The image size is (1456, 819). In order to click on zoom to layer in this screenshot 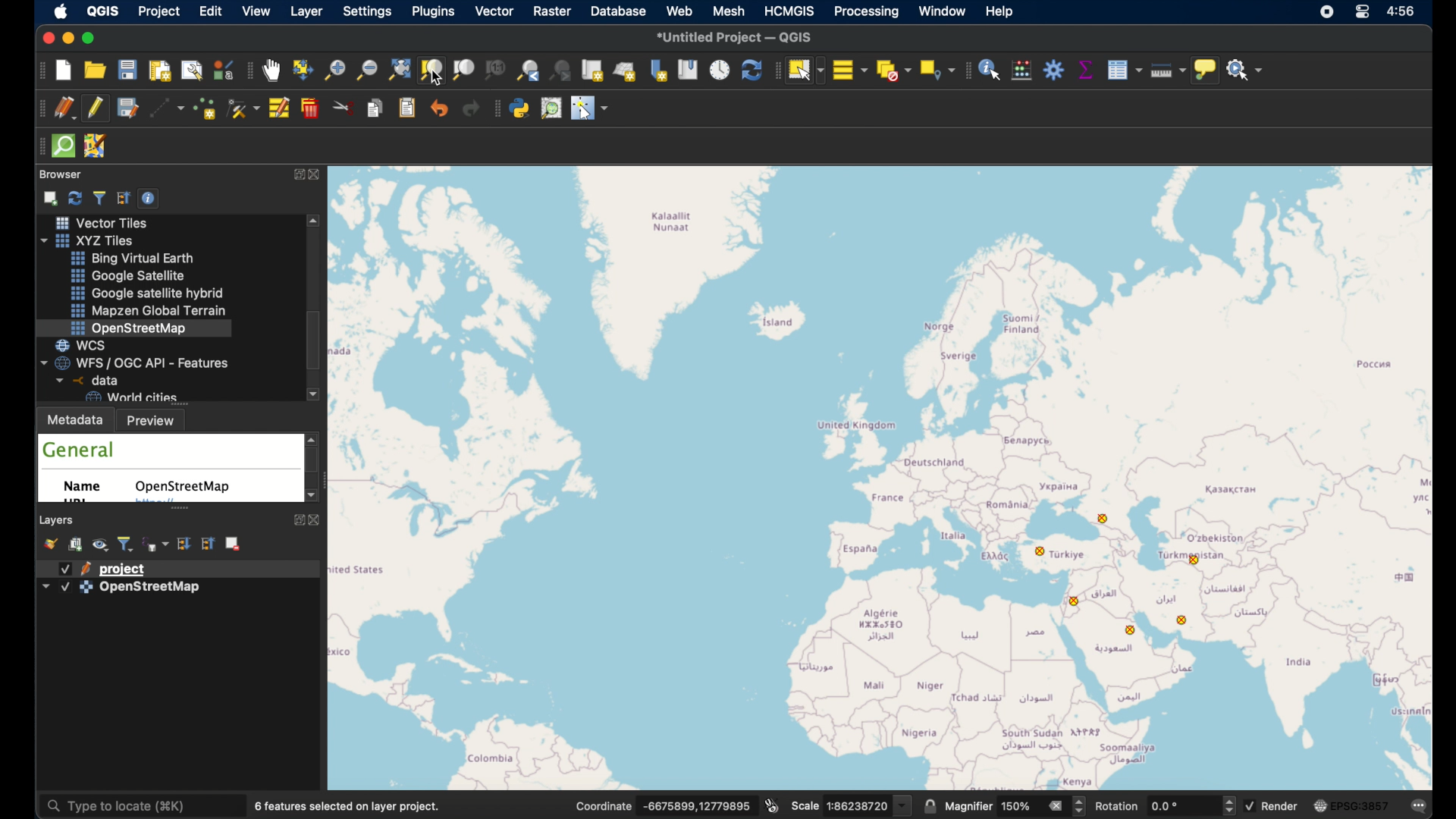, I will do `click(463, 71)`.